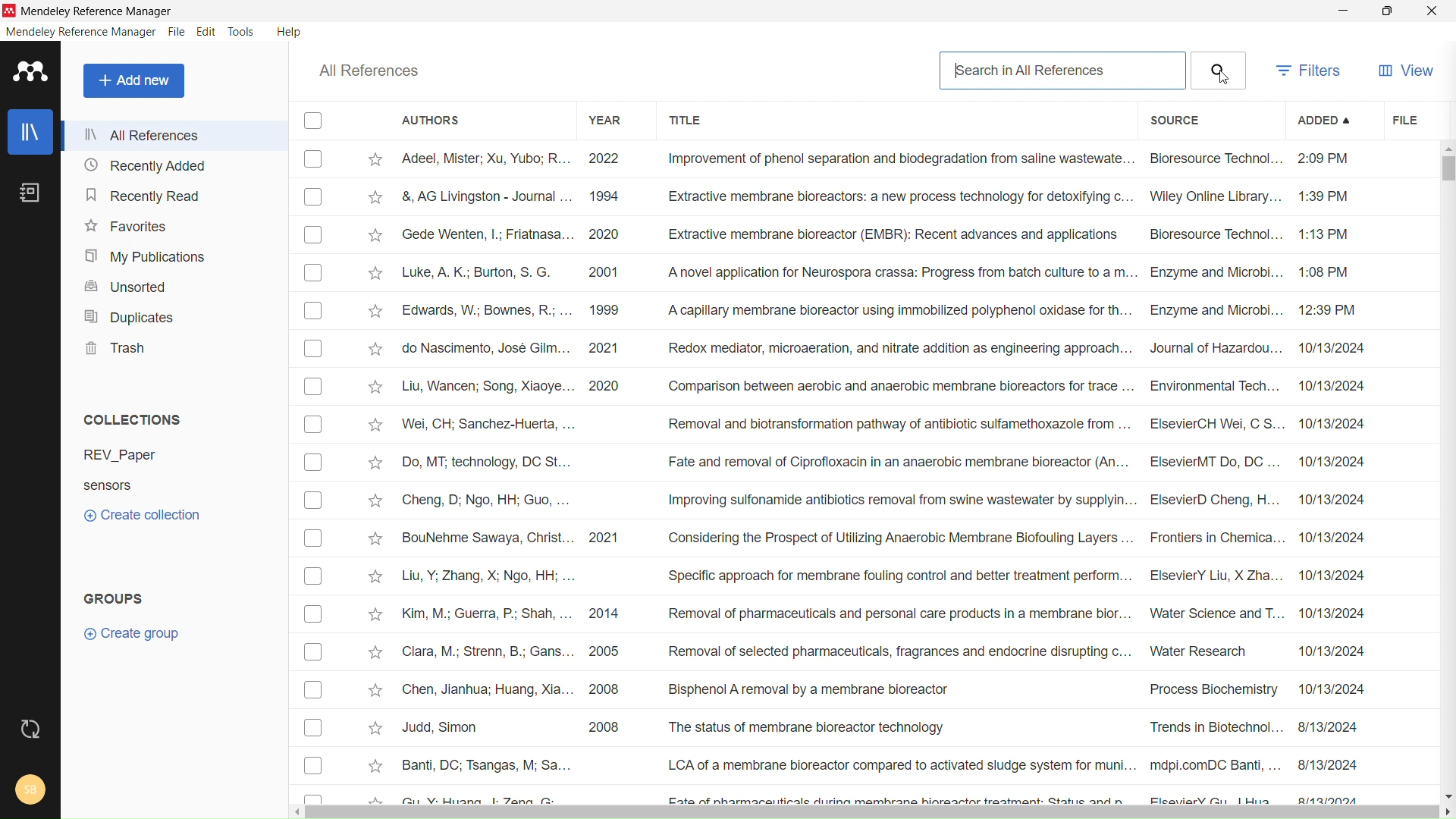 The image size is (1456, 819). What do you see at coordinates (883, 574) in the screenshot?
I see `Liu, Y; Zhang, X; Ngo, HH; ... Specific approach for membrane fouling control and better treatment perform...  ElsevierY Liu, X Zha... 10/13/2024` at bounding box center [883, 574].